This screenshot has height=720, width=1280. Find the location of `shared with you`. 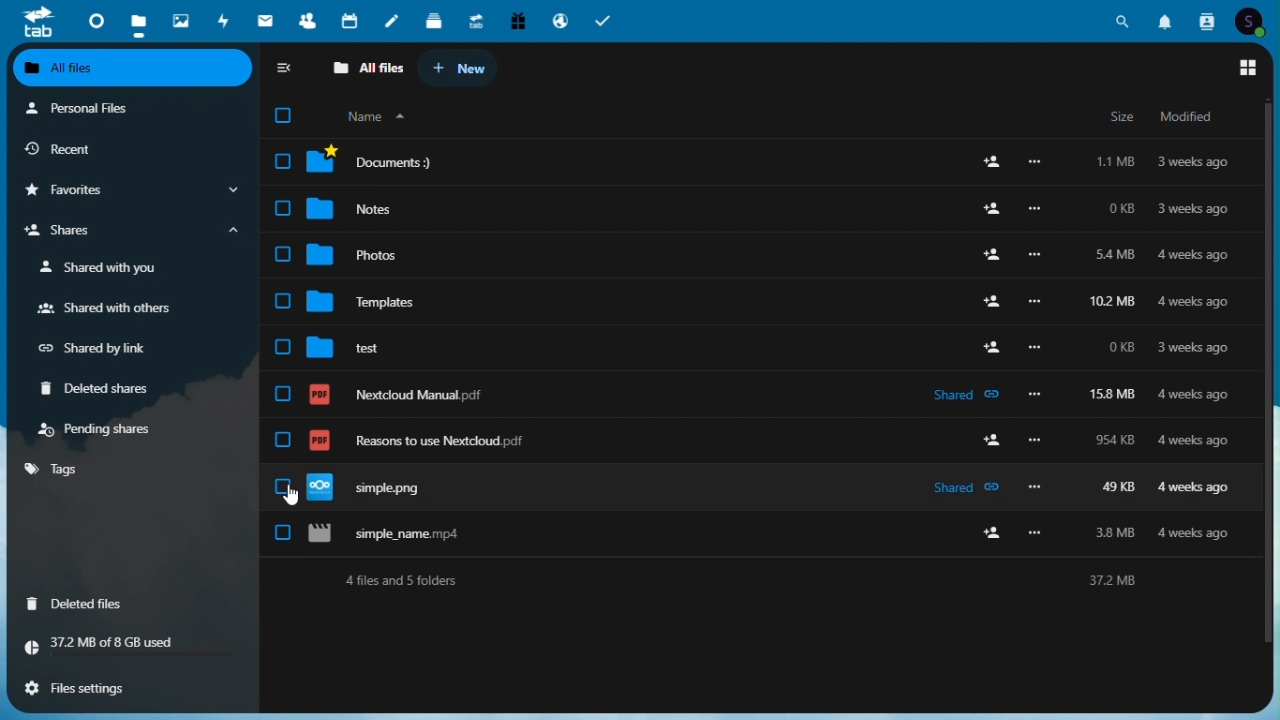

shared with you is located at coordinates (103, 268).